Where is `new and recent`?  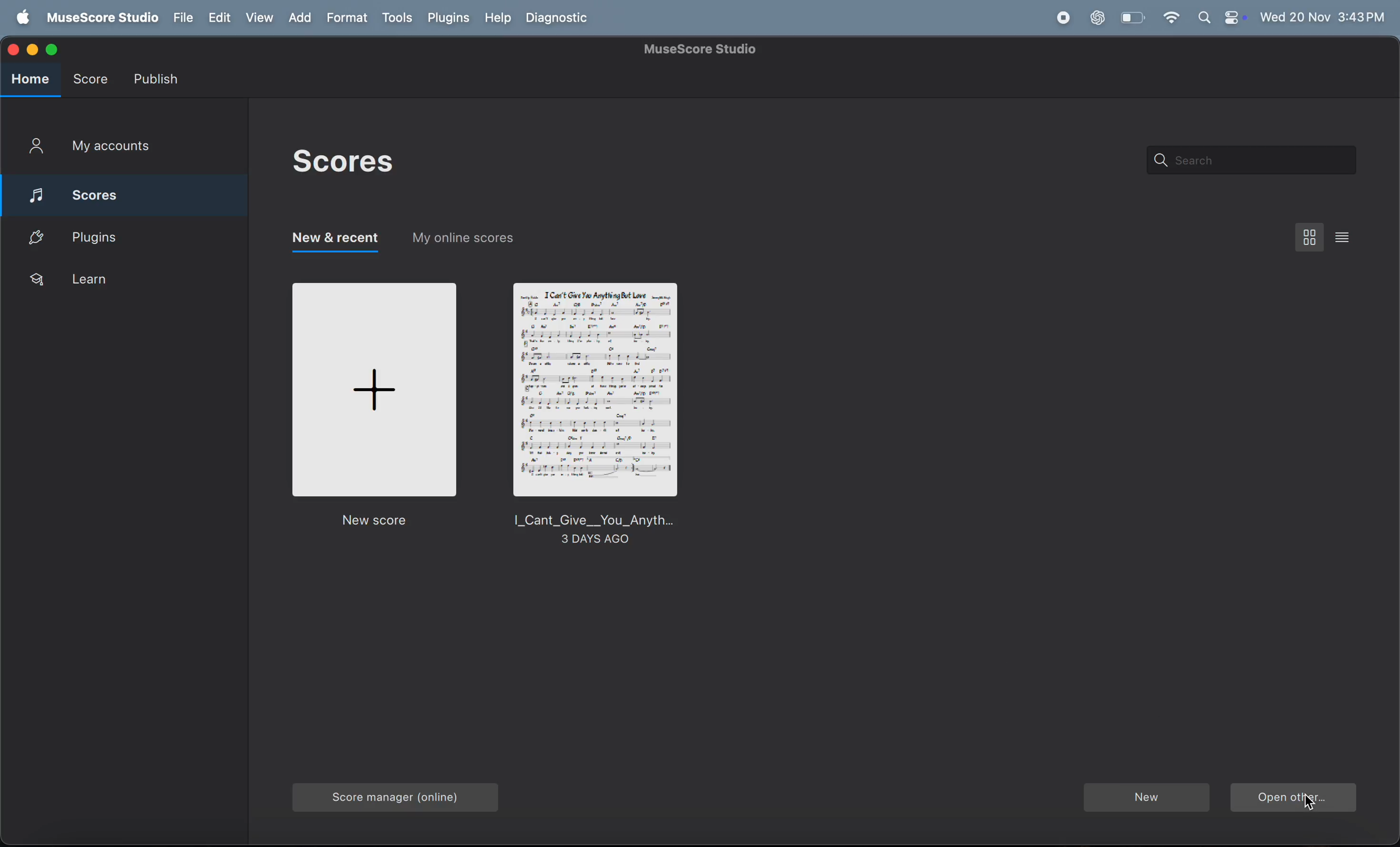 new and recent is located at coordinates (335, 243).